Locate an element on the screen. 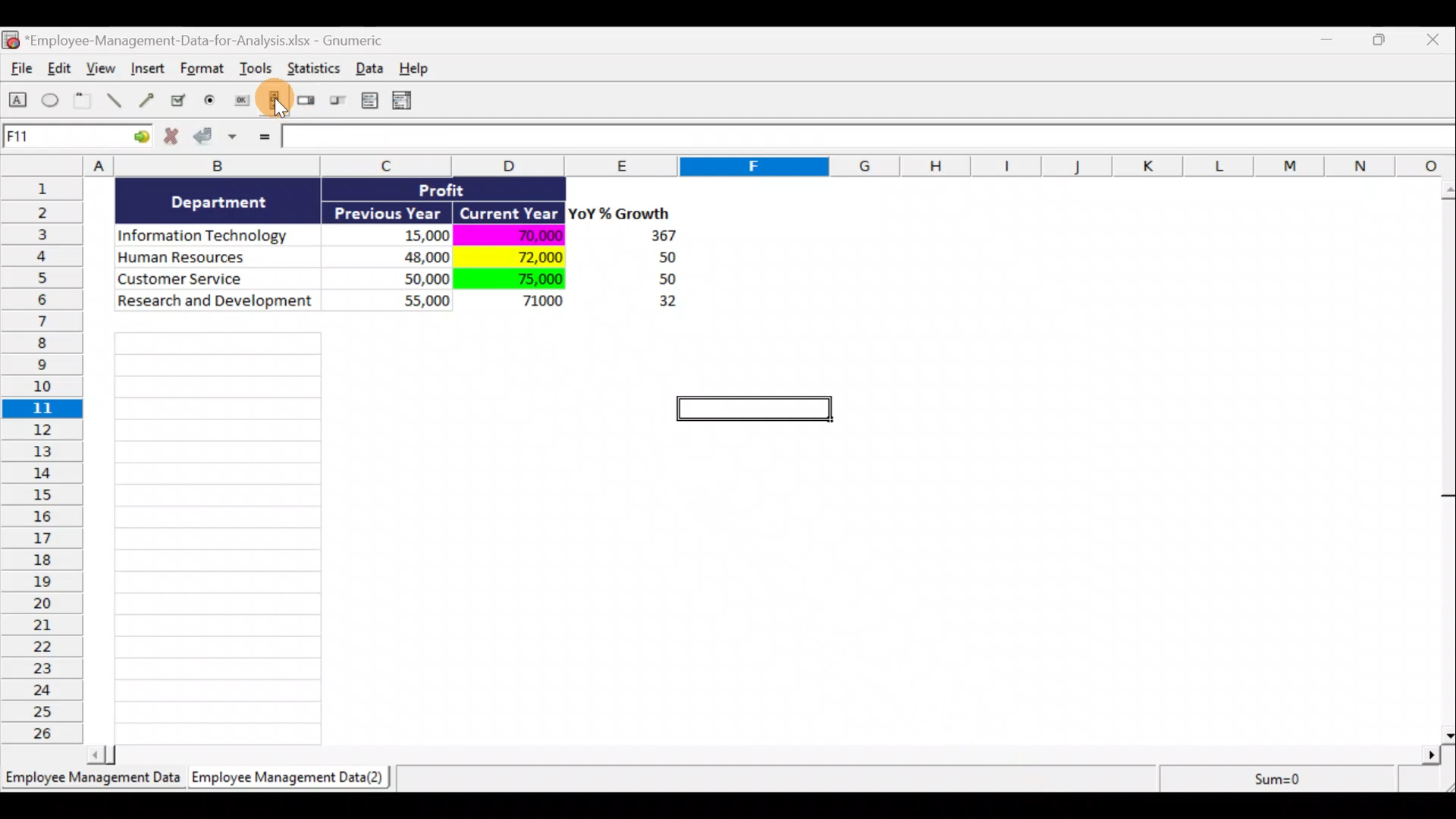 The height and width of the screenshot is (819, 1456). Create a button is located at coordinates (240, 104).